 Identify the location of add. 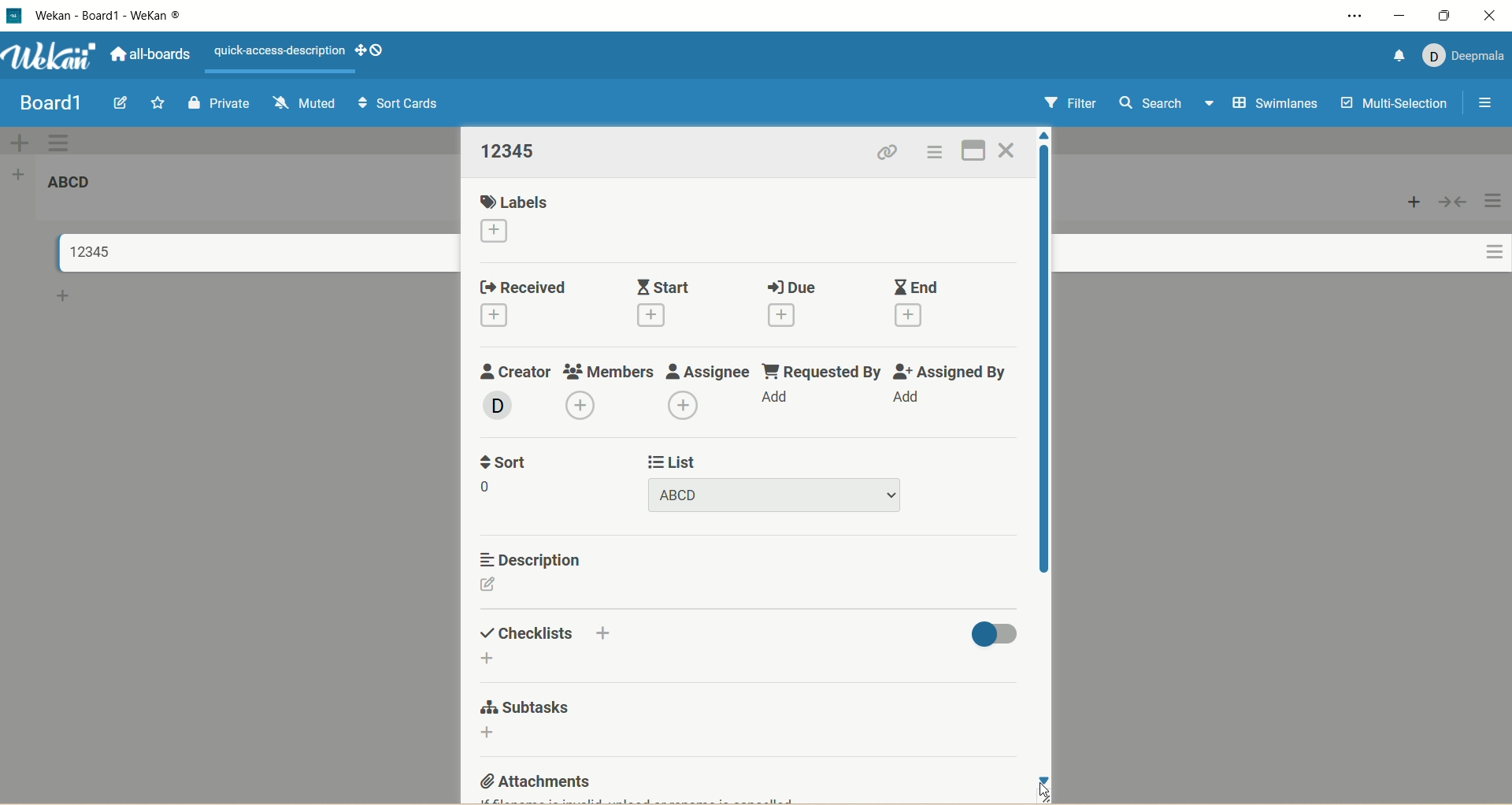
(495, 735).